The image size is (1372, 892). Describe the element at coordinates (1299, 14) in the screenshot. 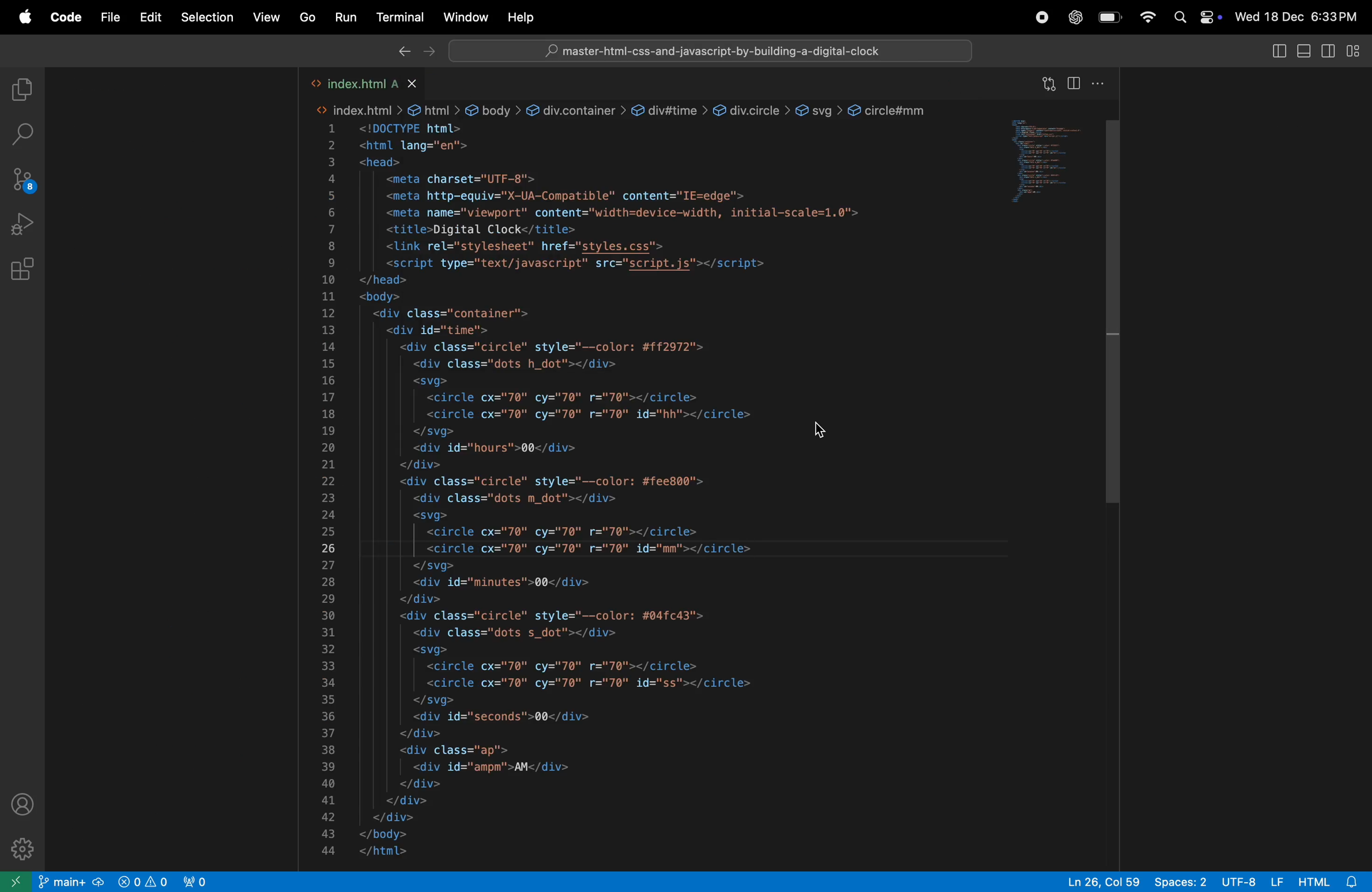

I see `Wed 18 Dec 6:33PM` at that location.